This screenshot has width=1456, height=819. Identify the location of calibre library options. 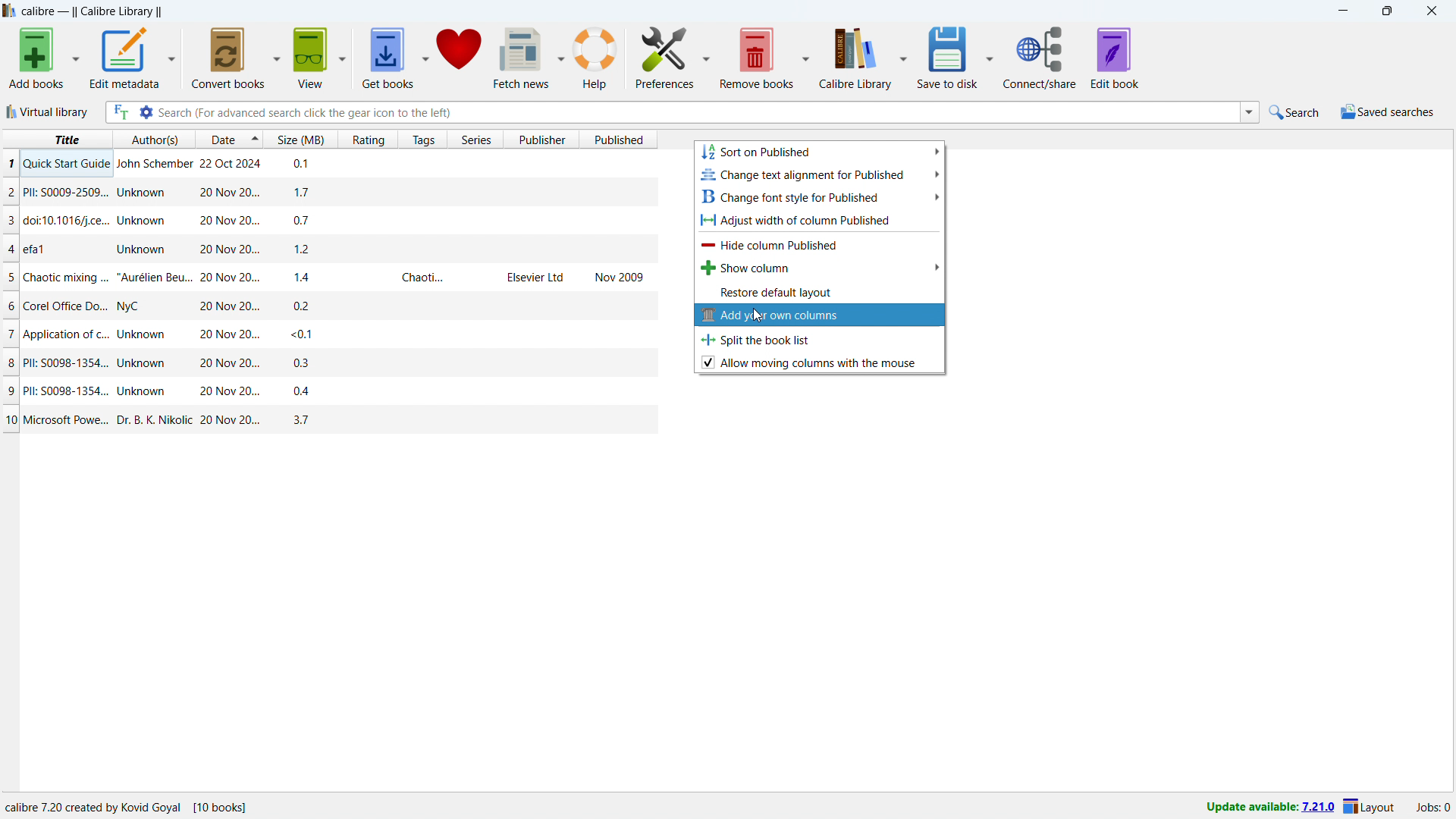
(903, 55).